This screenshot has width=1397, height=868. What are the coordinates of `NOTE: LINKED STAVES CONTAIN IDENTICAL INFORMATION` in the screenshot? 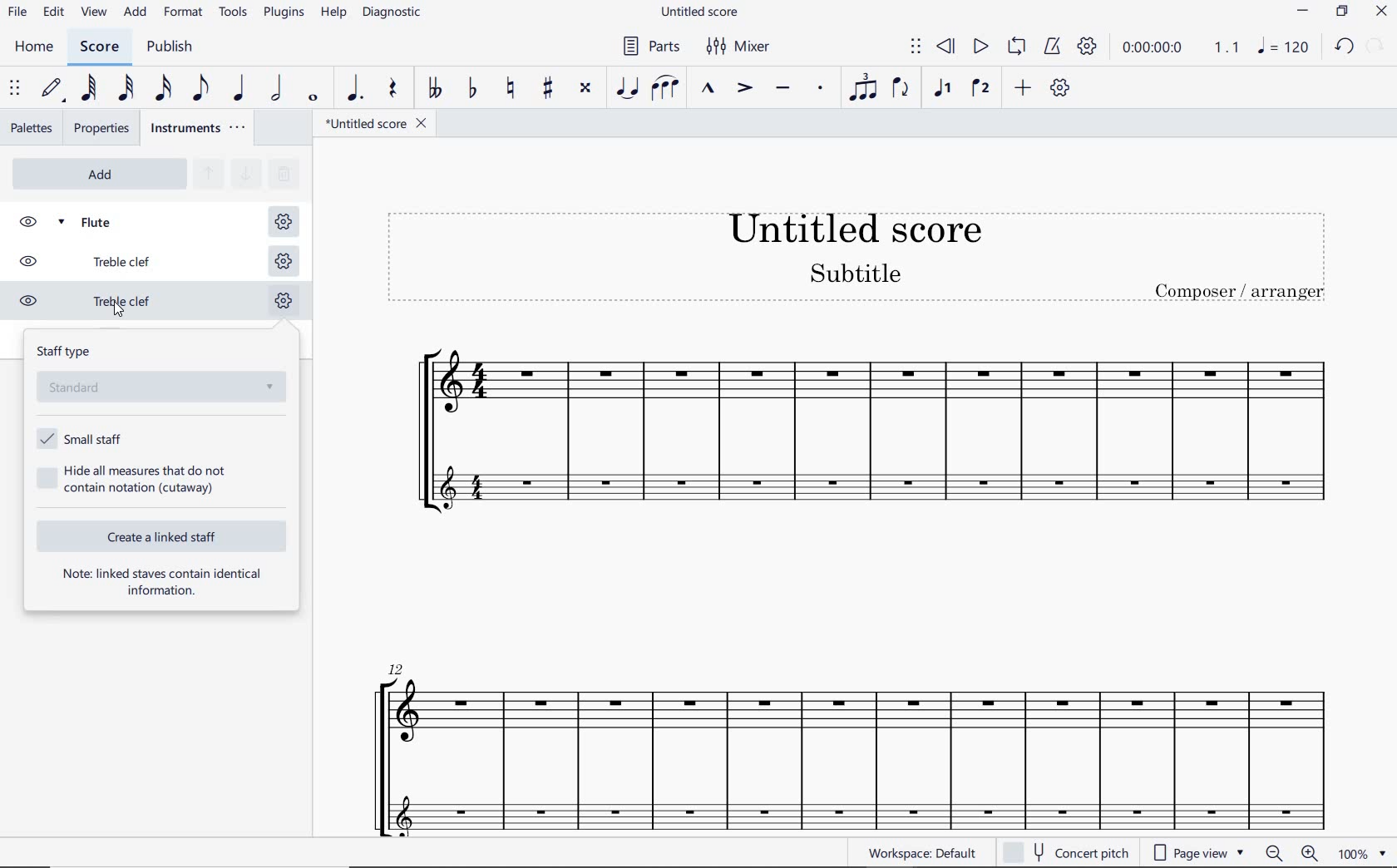 It's located at (163, 582).